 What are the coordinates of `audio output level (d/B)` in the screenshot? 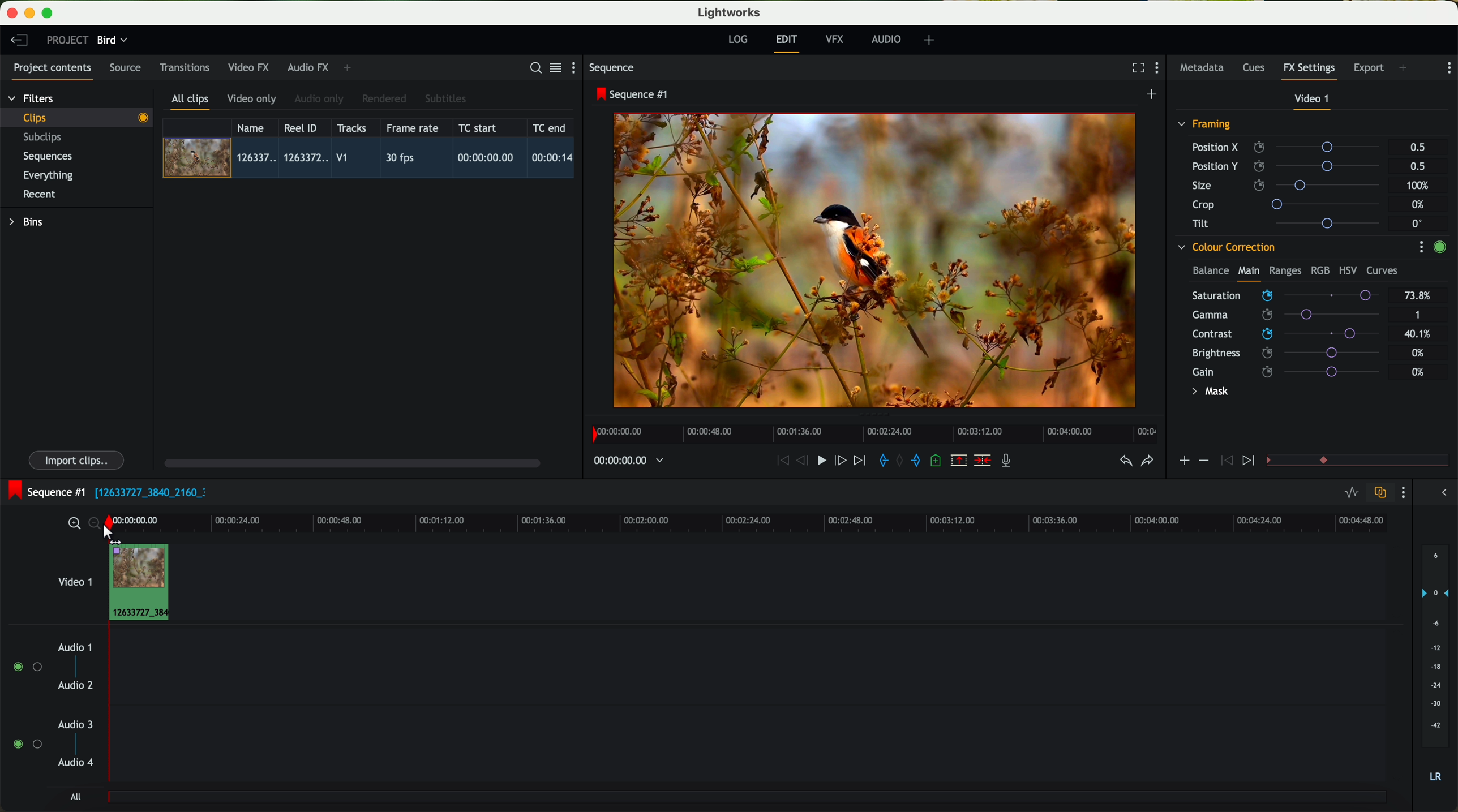 It's located at (1436, 667).